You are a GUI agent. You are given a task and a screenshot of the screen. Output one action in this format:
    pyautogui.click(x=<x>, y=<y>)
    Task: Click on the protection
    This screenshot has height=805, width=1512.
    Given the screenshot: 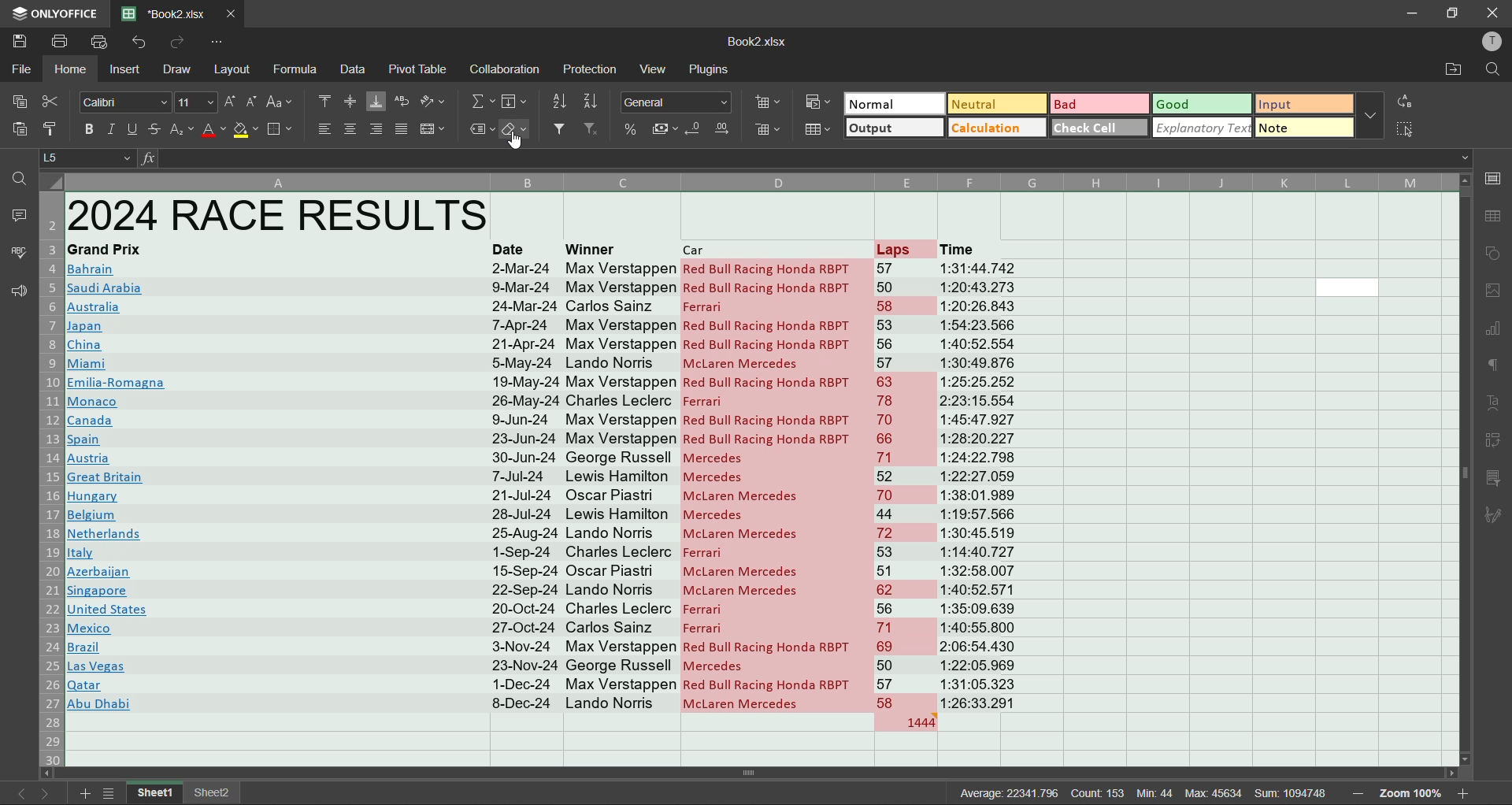 What is the action you would take?
    pyautogui.click(x=591, y=69)
    